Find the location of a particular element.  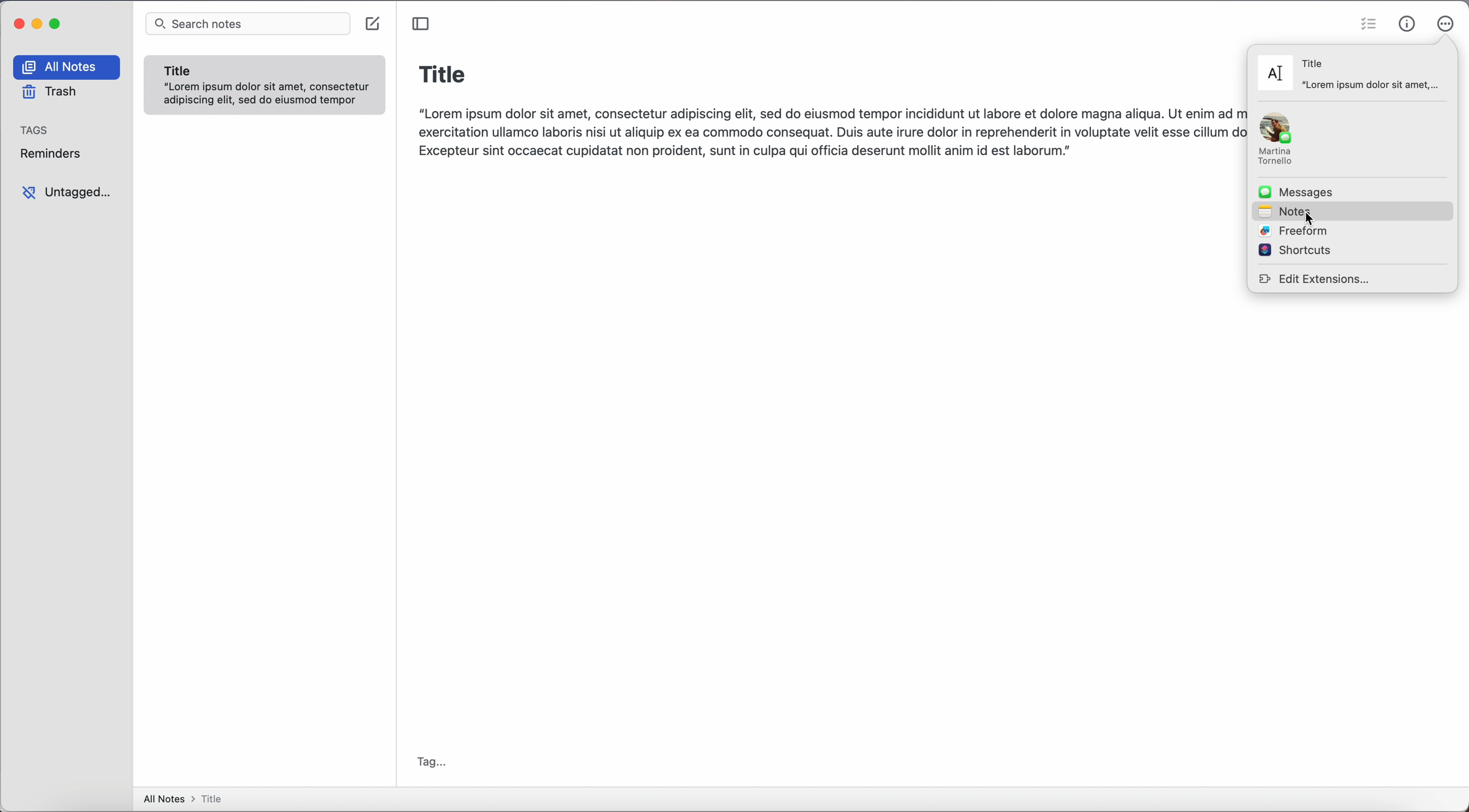

tags is located at coordinates (36, 129).